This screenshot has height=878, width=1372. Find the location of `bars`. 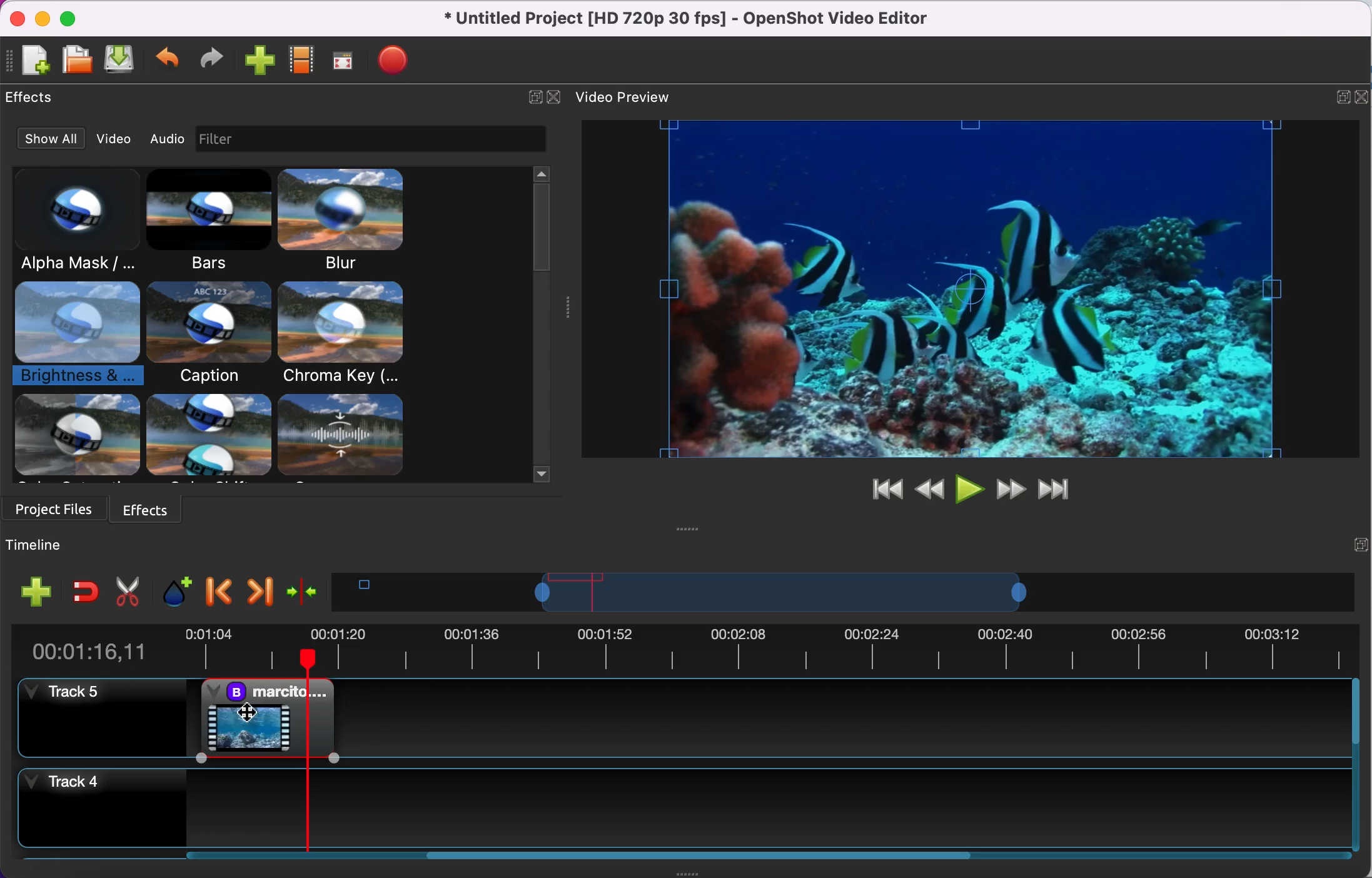

bars is located at coordinates (212, 223).